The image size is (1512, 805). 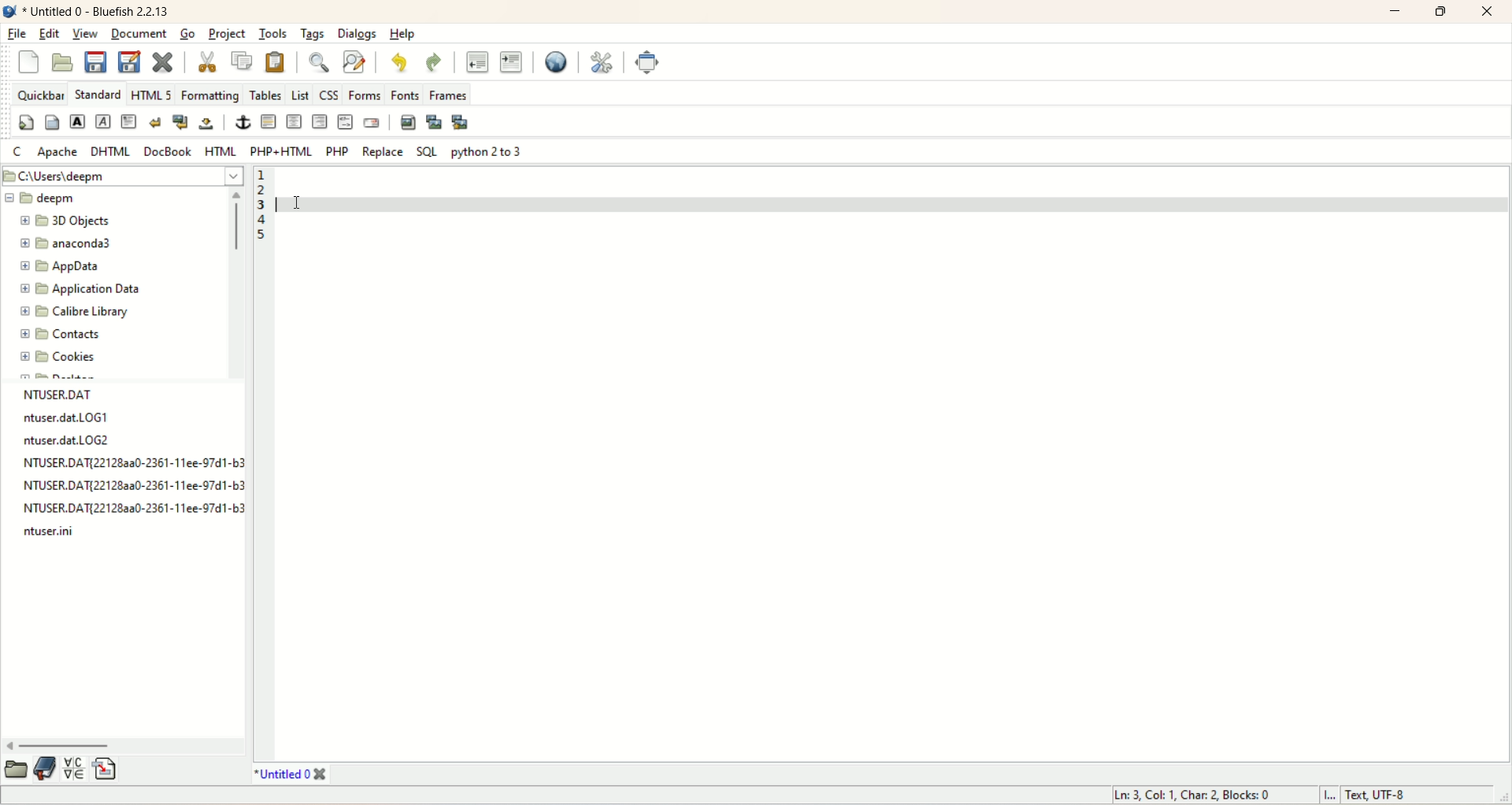 I want to click on insert thumbnail, so click(x=435, y=121).